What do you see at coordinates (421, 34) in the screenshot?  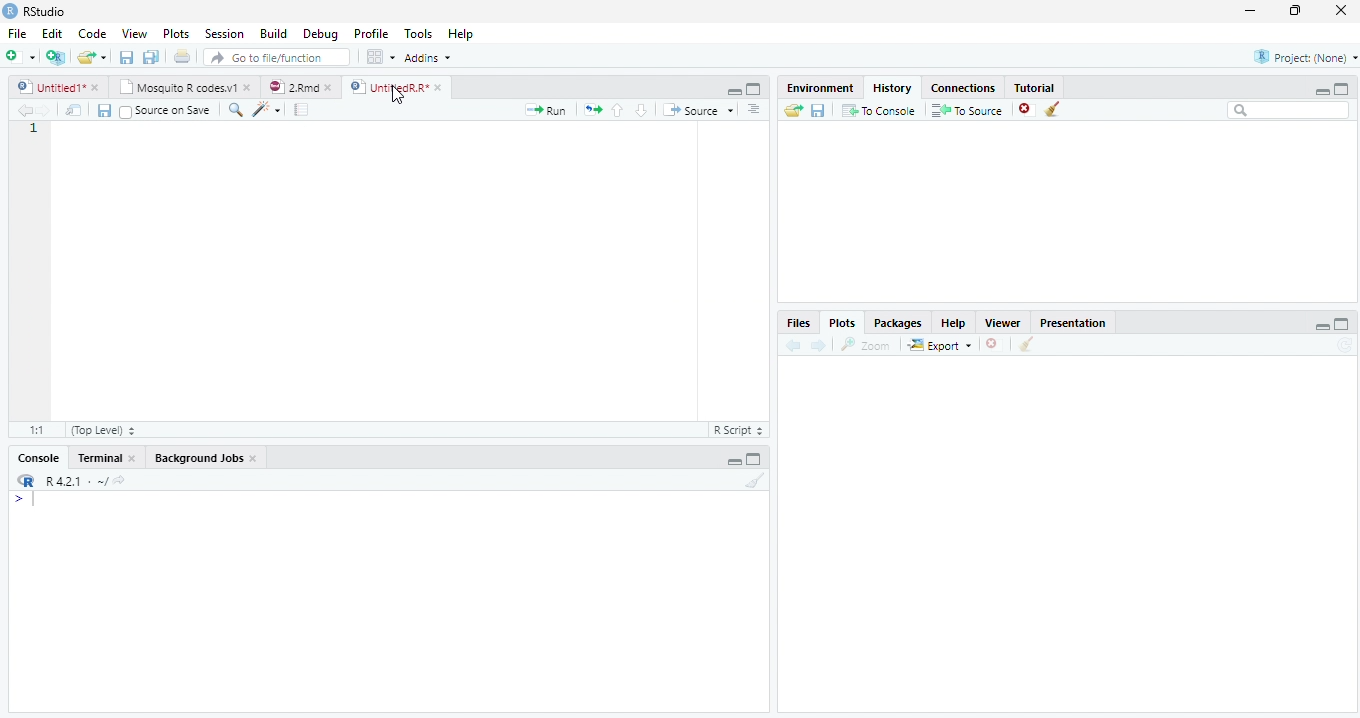 I see `Tools` at bounding box center [421, 34].